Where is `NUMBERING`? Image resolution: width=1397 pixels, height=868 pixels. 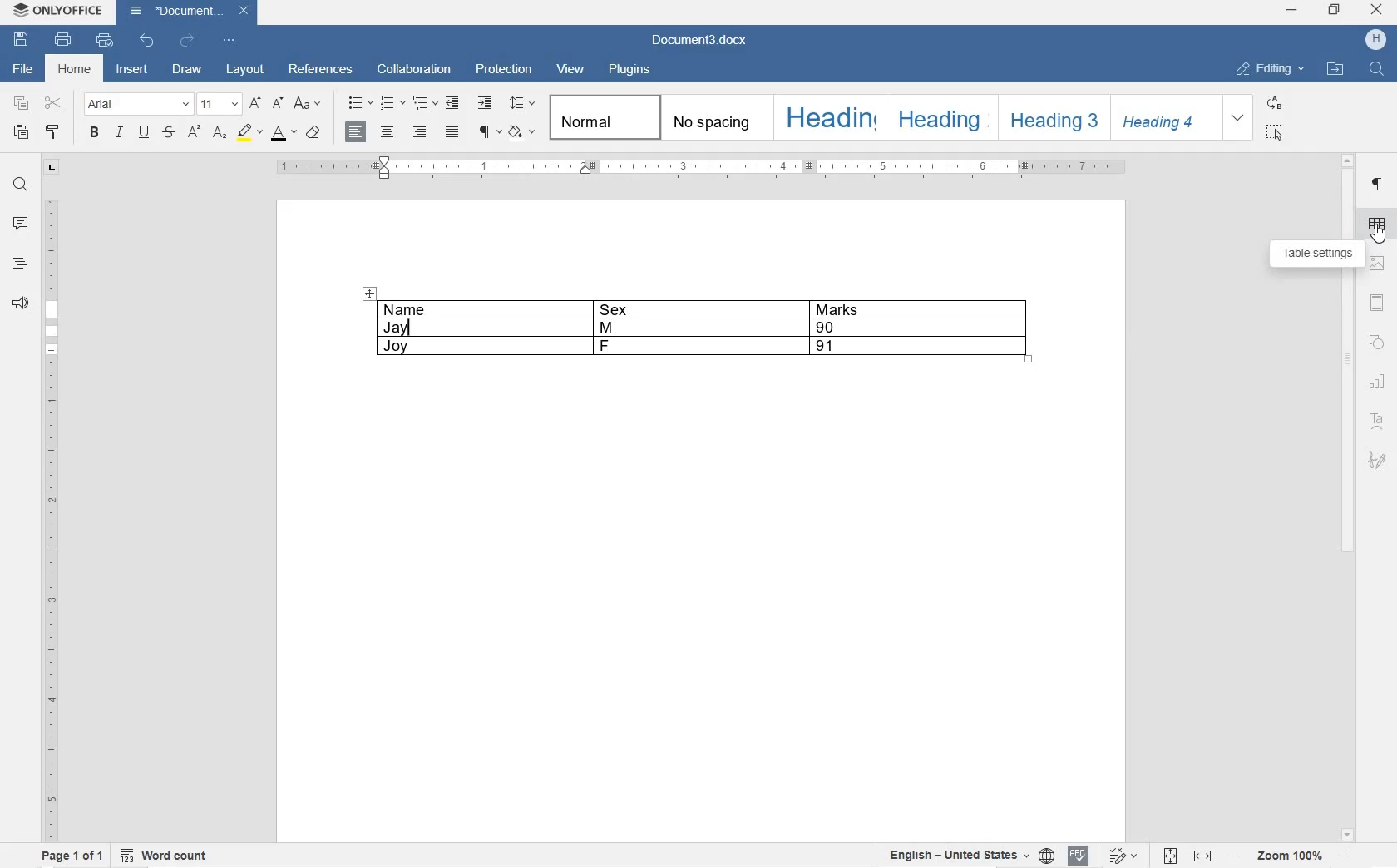 NUMBERING is located at coordinates (392, 101).